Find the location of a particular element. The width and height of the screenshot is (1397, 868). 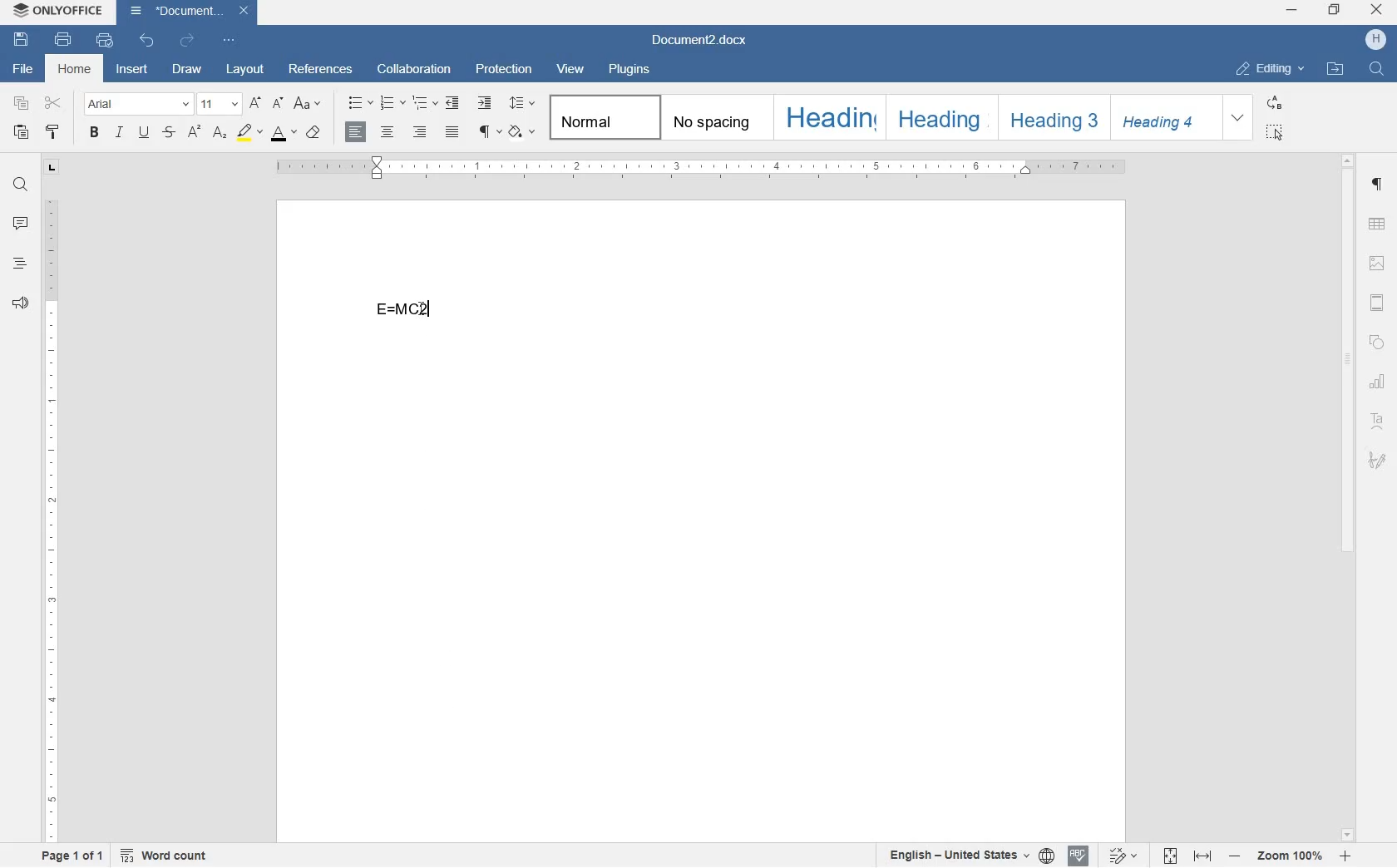

file is located at coordinates (21, 69).